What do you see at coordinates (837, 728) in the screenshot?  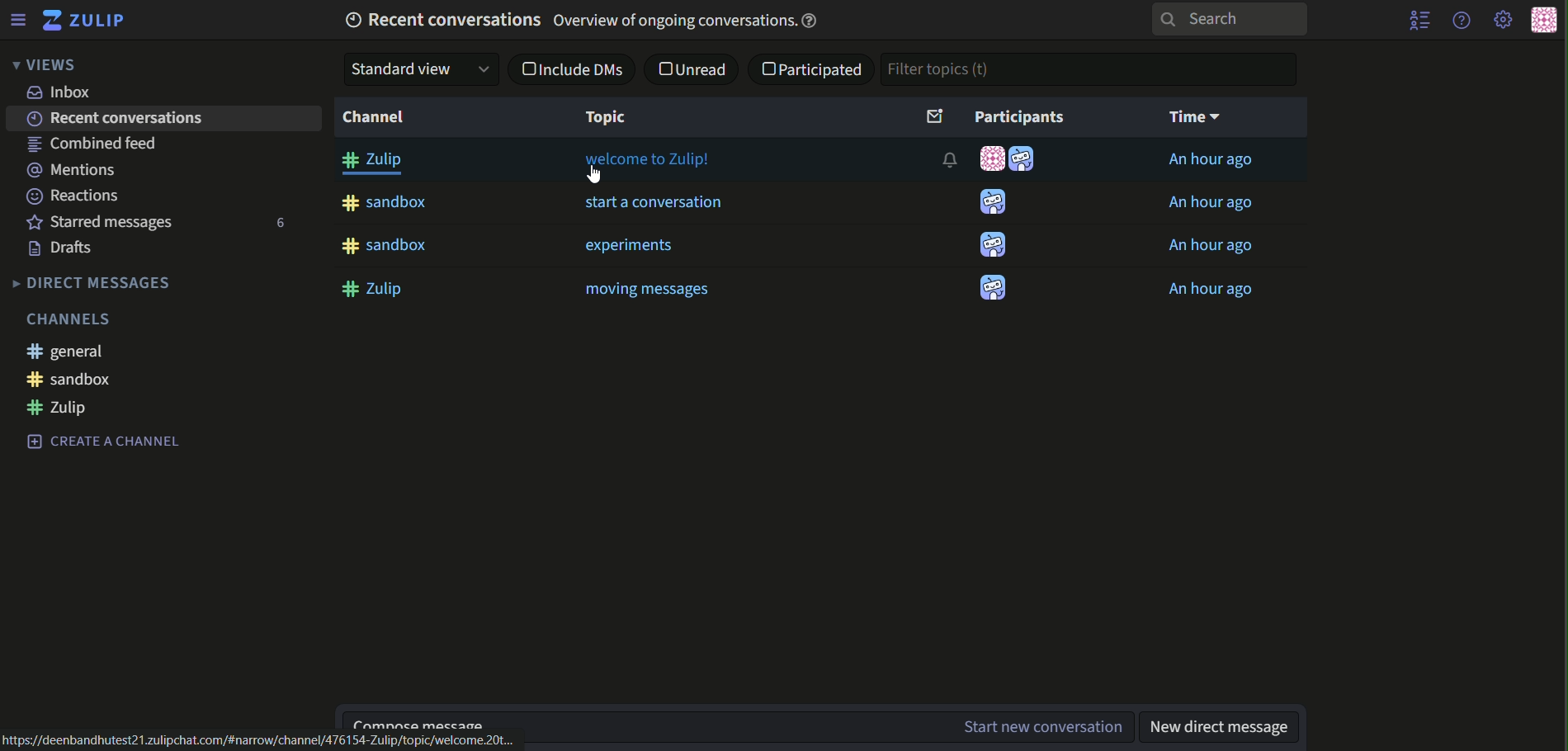 I see `text box` at bounding box center [837, 728].